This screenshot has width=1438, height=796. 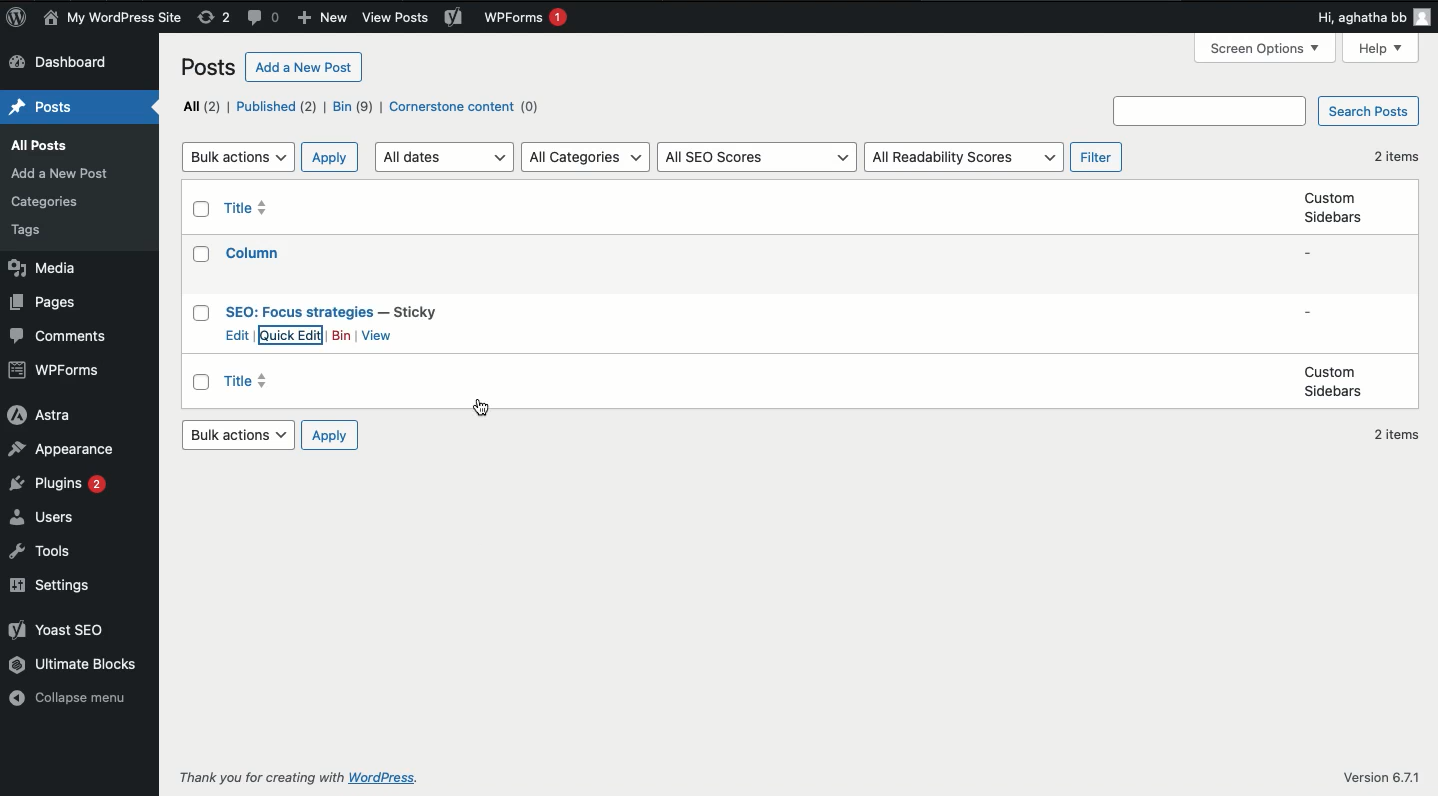 What do you see at coordinates (1099, 158) in the screenshot?
I see `Filter` at bounding box center [1099, 158].